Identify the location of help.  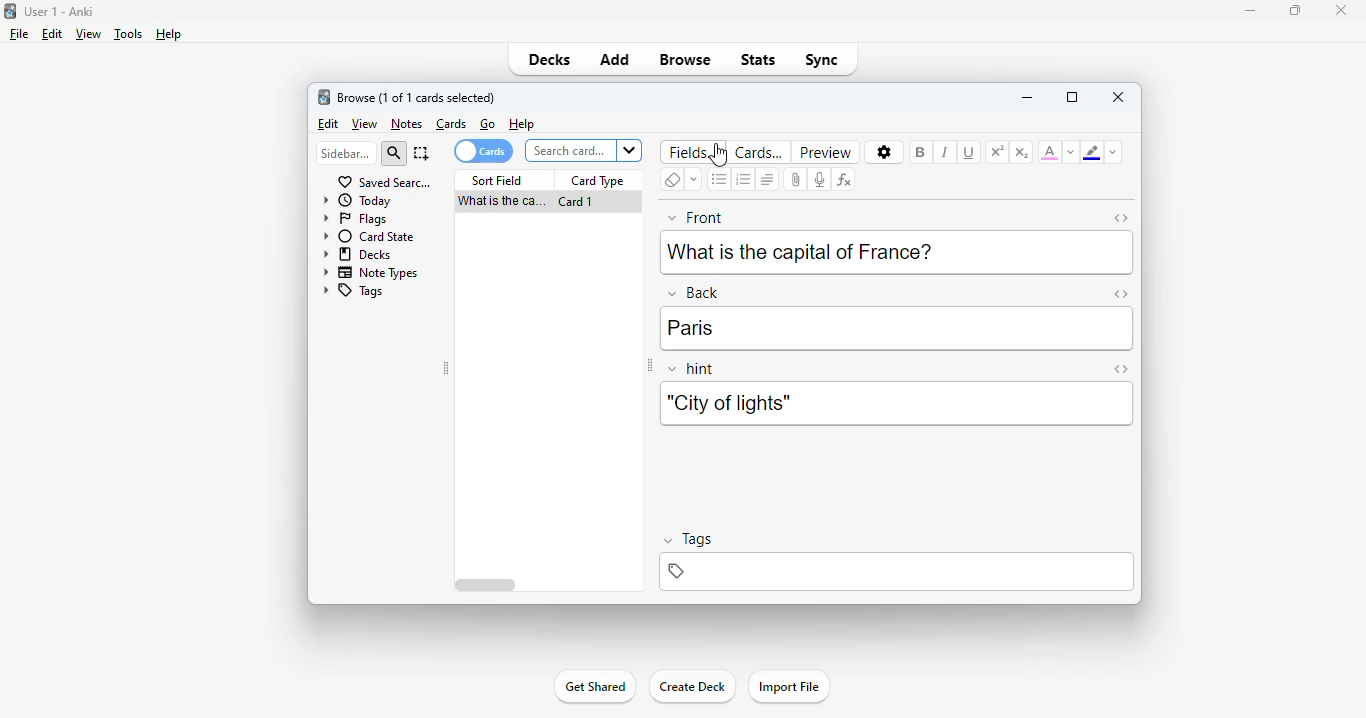
(522, 124).